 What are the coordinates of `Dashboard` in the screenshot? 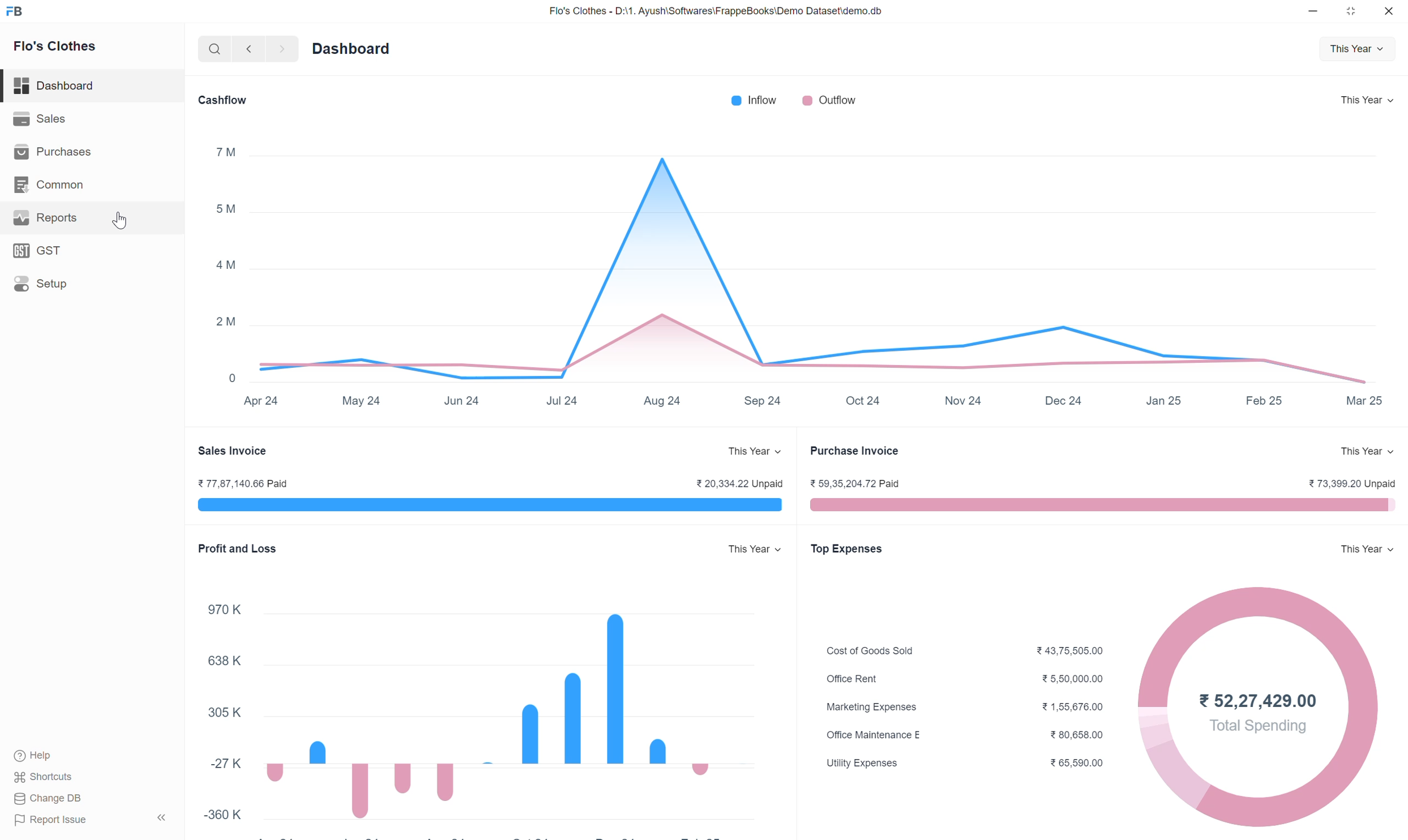 It's located at (356, 52).